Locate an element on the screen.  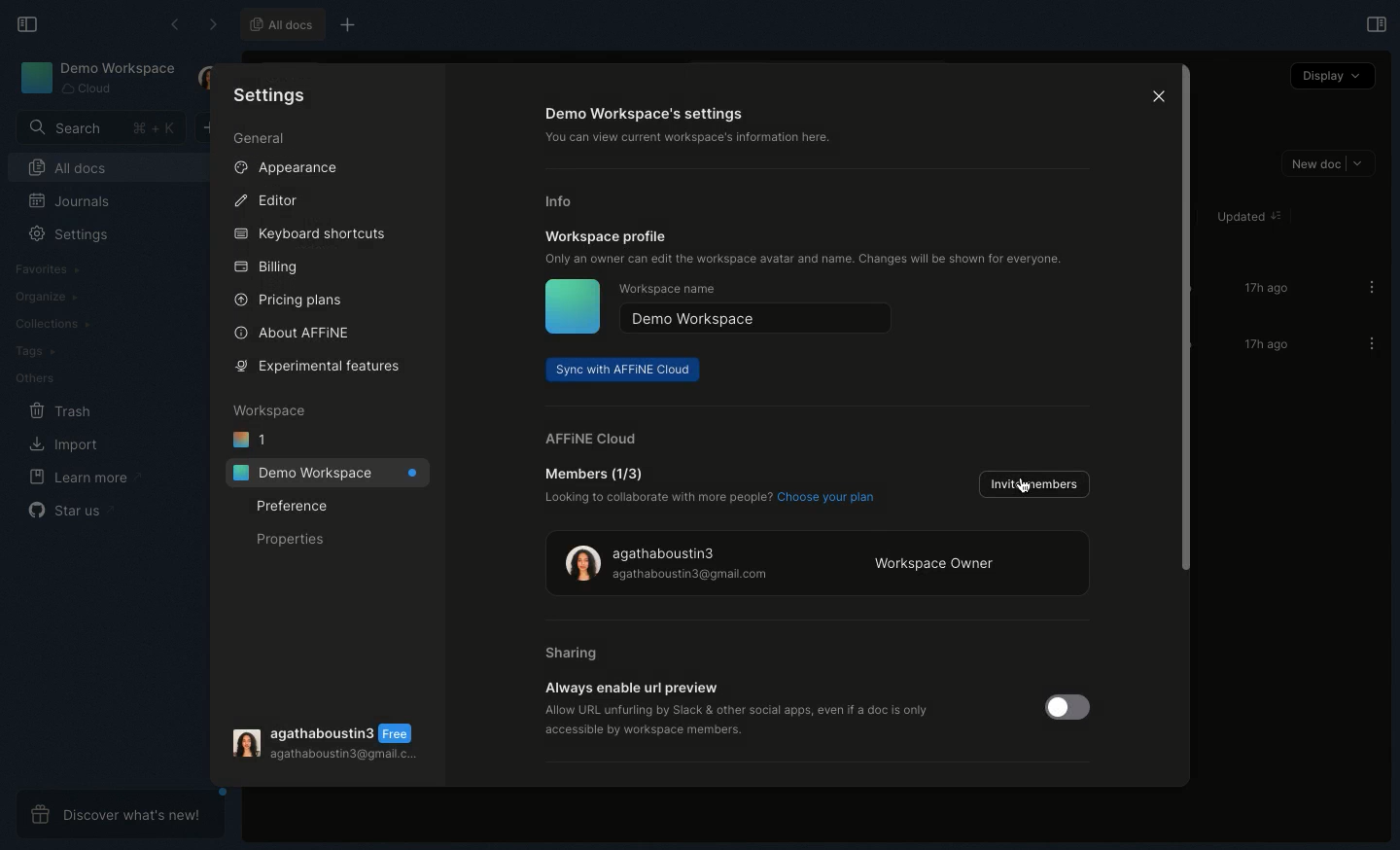
User is located at coordinates (326, 741).